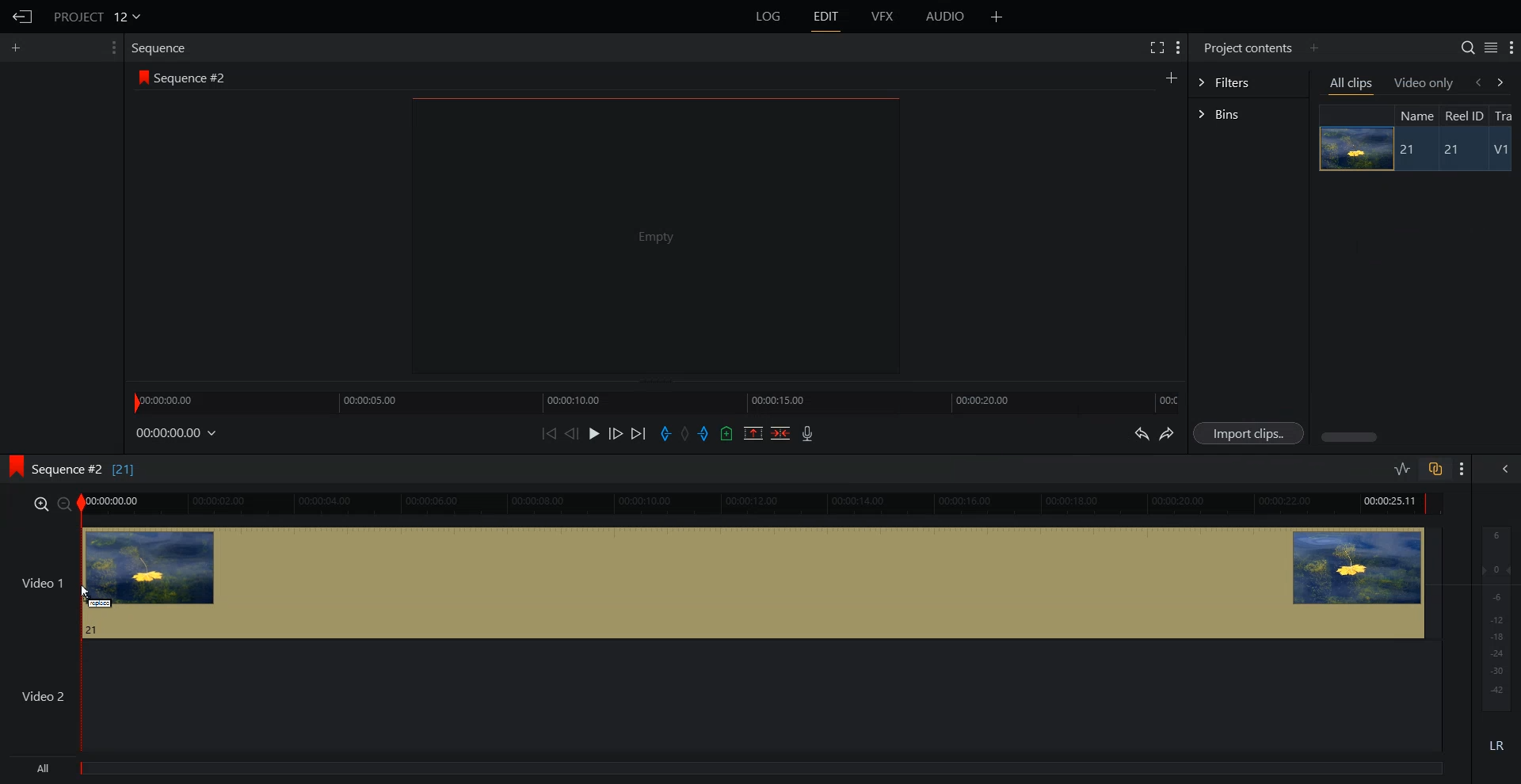  What do you see at coordinates (705, 432) in the screenshot?
I see `Add an out mark at the current position` at bounding box center [705, 432].